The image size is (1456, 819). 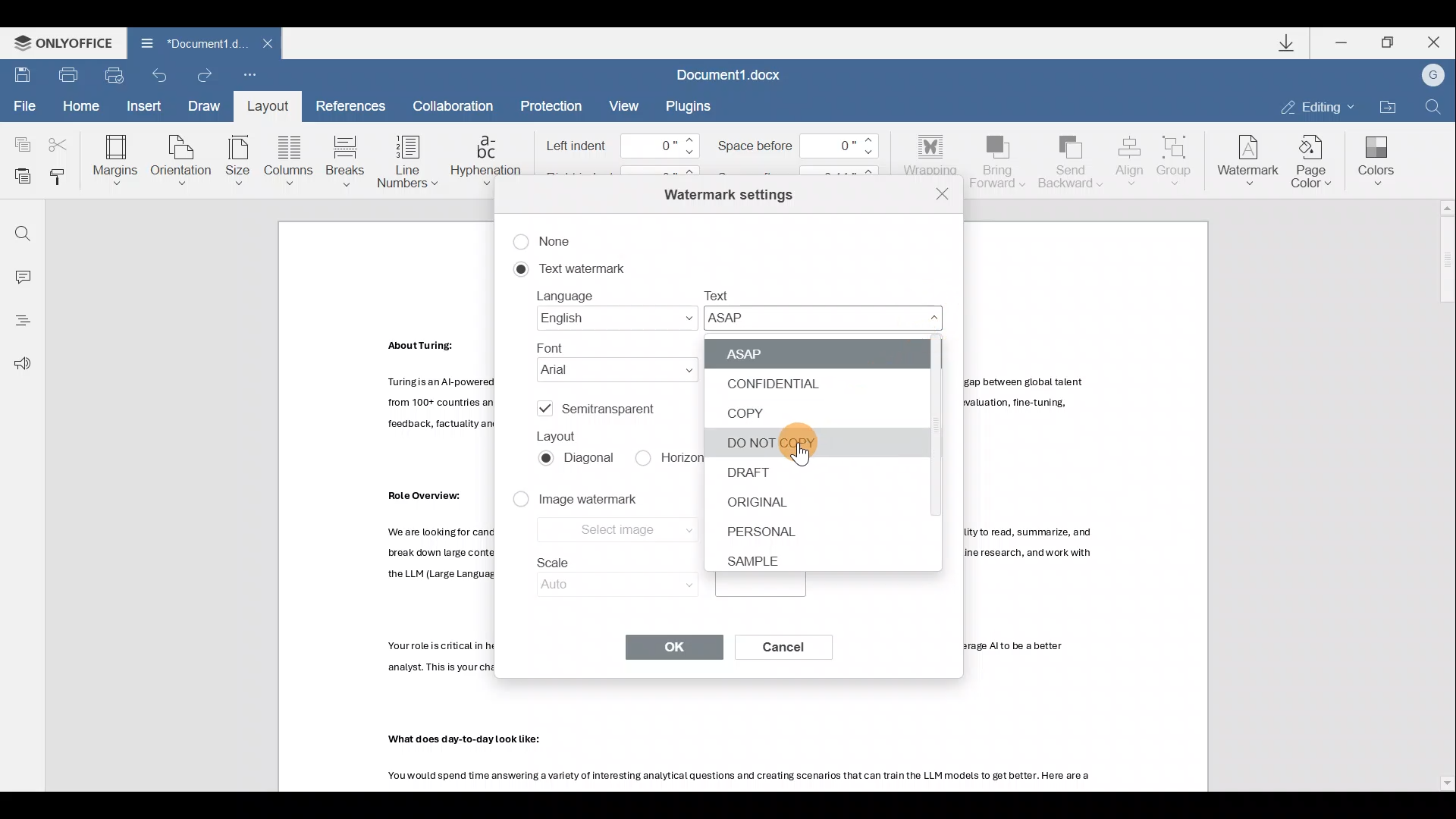 What do you see at coordinates (202, 74) in the screenshot?
I see `Redo` at bounding box center [202, 74].